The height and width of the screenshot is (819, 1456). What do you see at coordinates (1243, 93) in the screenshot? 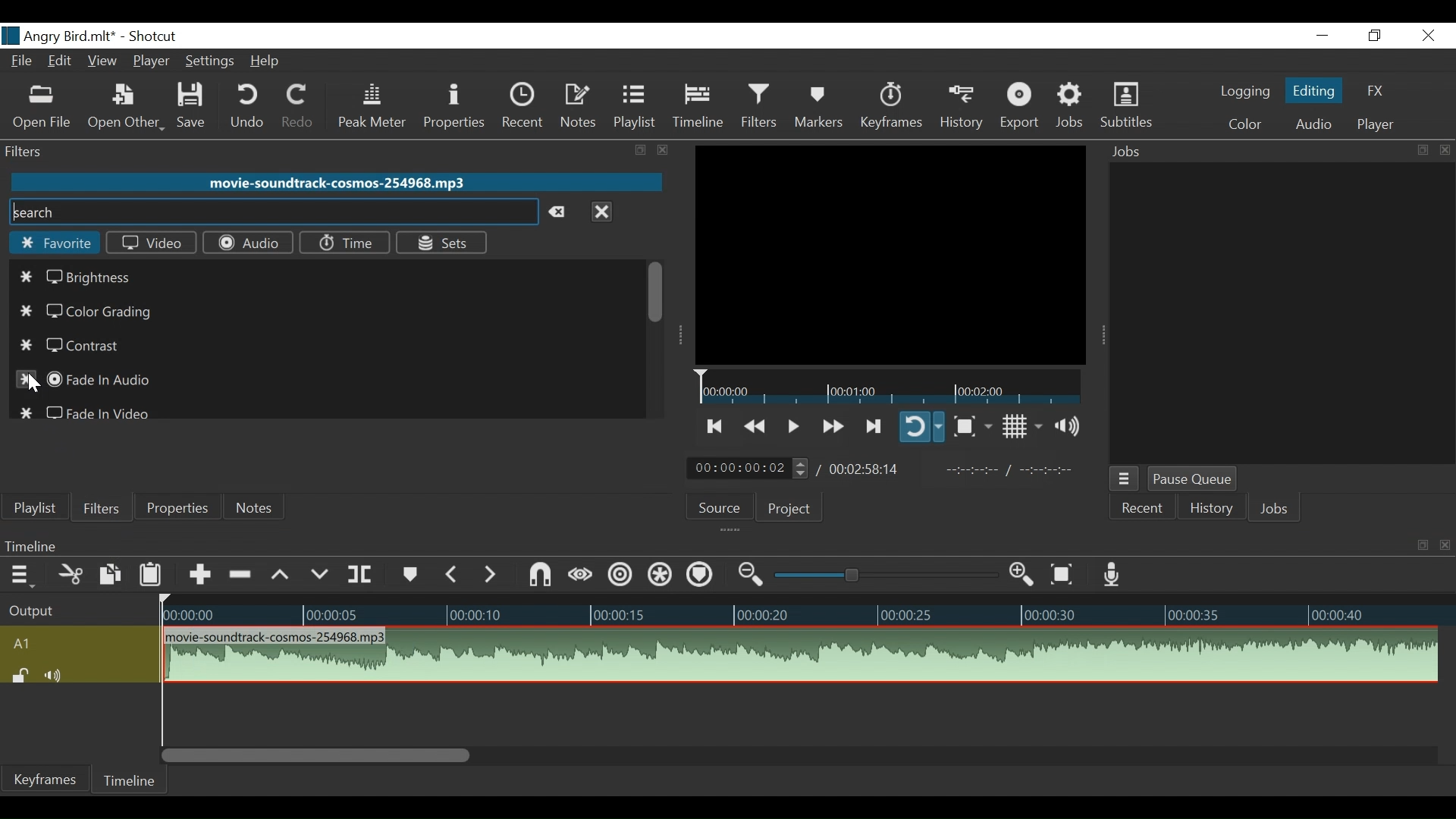
I see `logging` at bounding box center [1243, 93].